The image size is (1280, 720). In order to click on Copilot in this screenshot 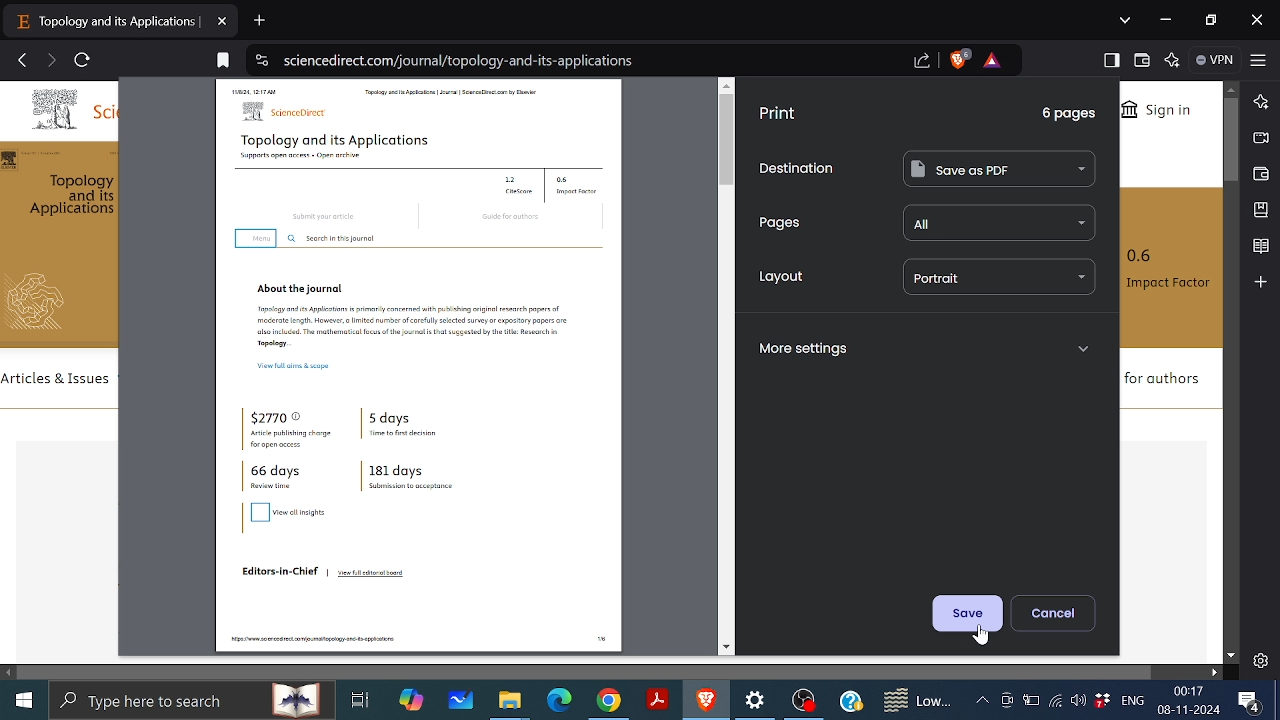, I will do `click(409, 702)`.